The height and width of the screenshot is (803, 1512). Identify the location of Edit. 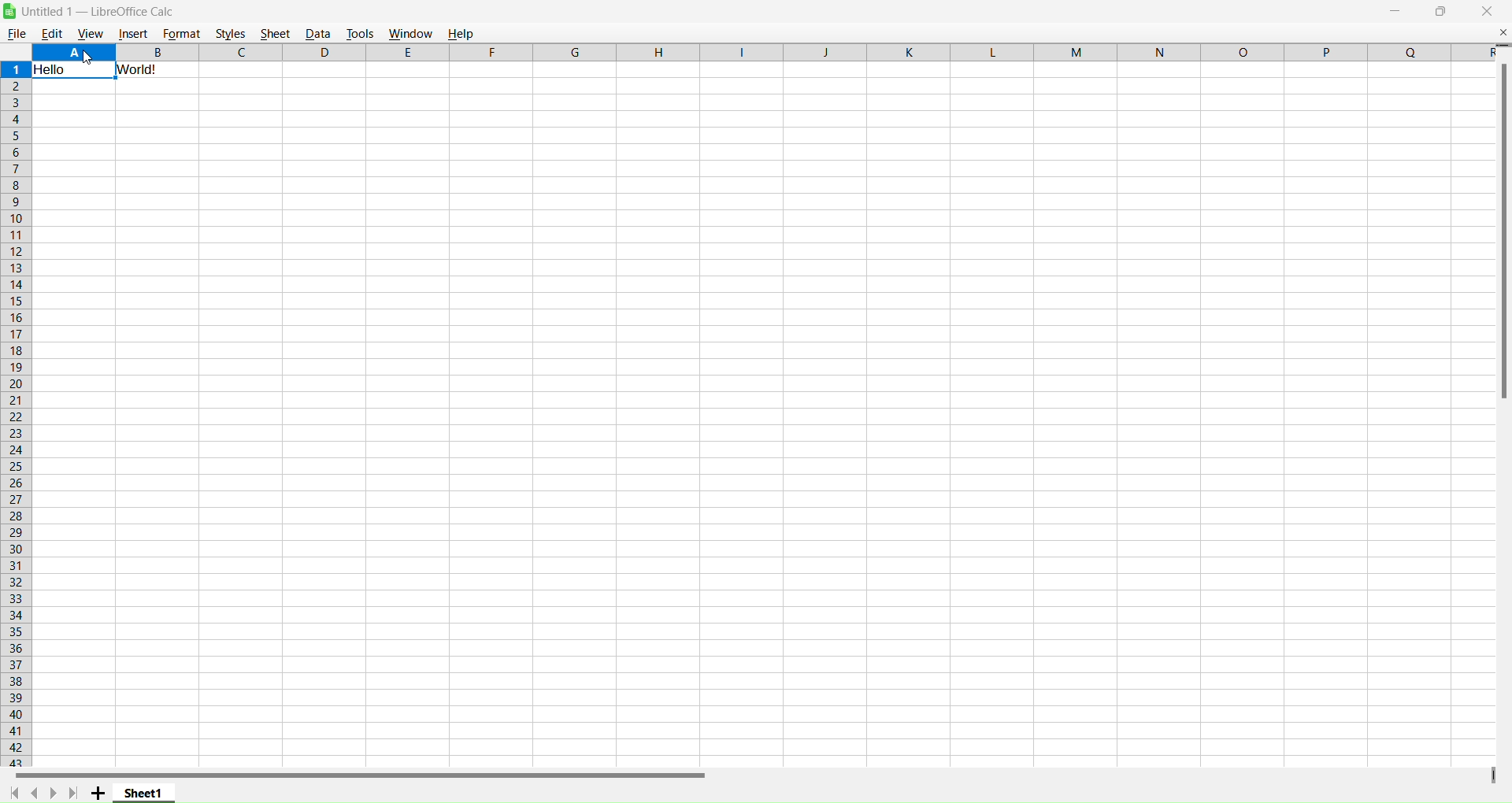
(52, 33).